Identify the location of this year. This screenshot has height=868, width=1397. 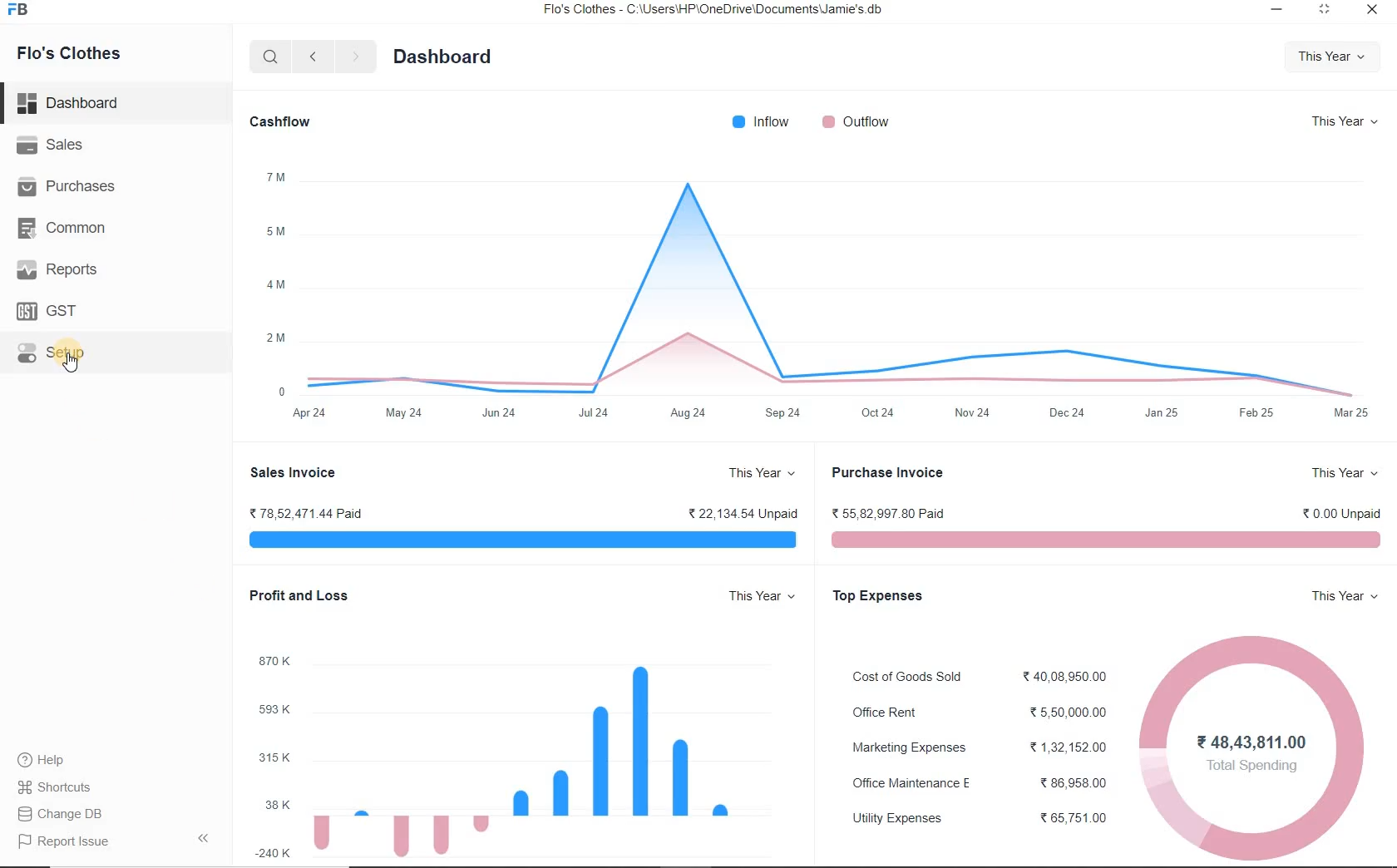
(764, 596).